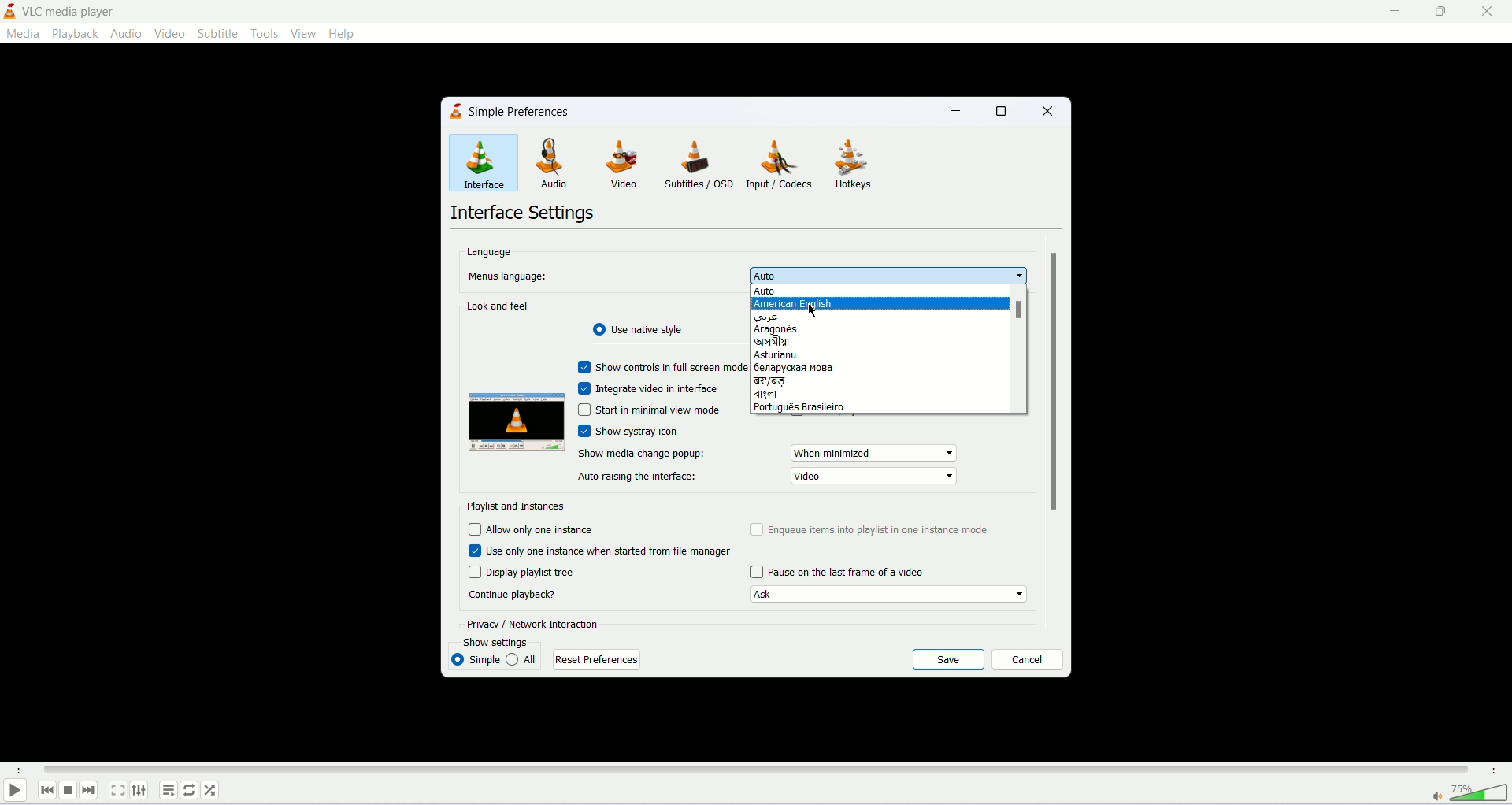 Image resolution: width=1512 pixels, height=805 pixels. What do you see at coordinates (524, 214) in the screenshot?
I see `interface settings` at bounding box center [524, 214].